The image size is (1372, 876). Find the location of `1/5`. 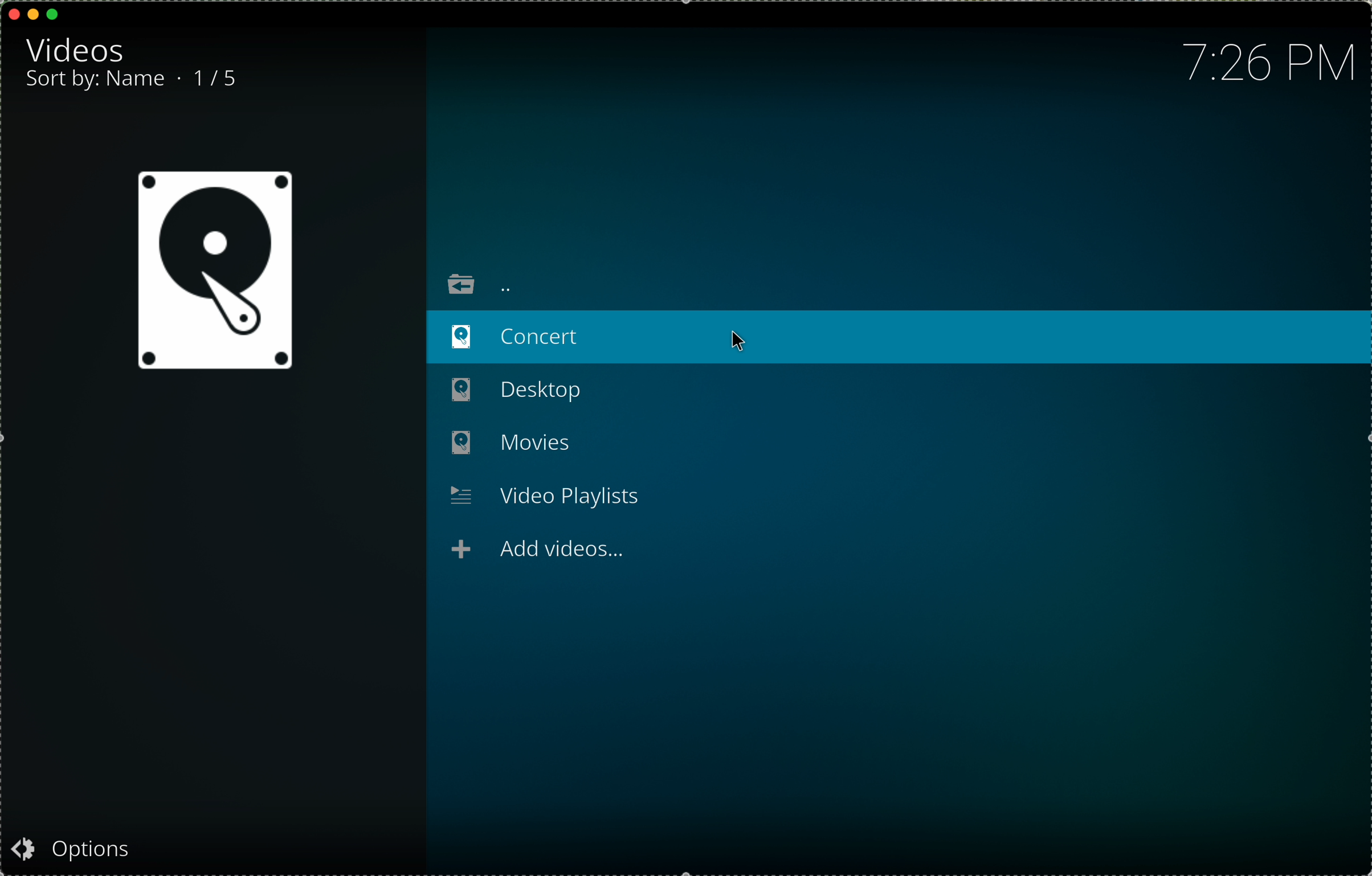

1/5 is located at coordinates (218, 80).